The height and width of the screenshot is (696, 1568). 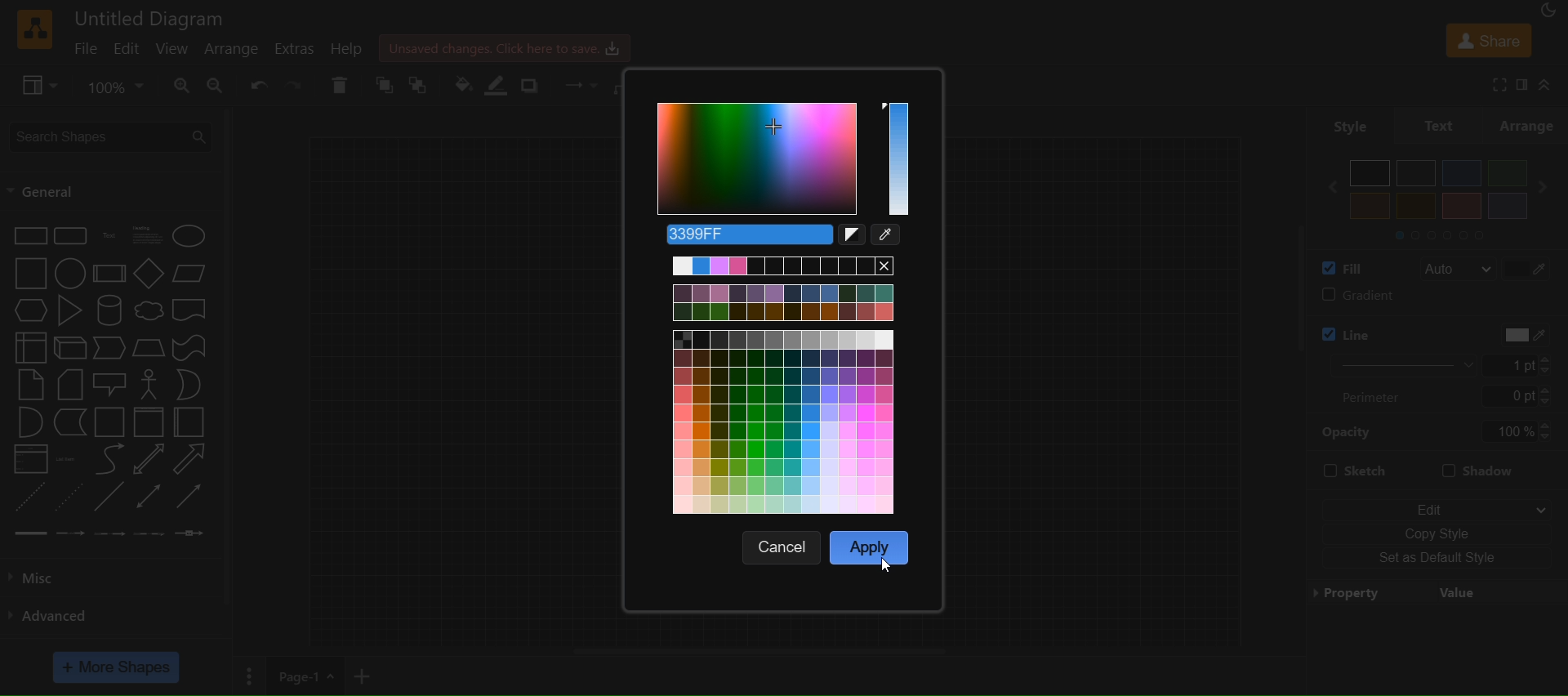 I want to click on use black and white, so click(x=854, y=237).